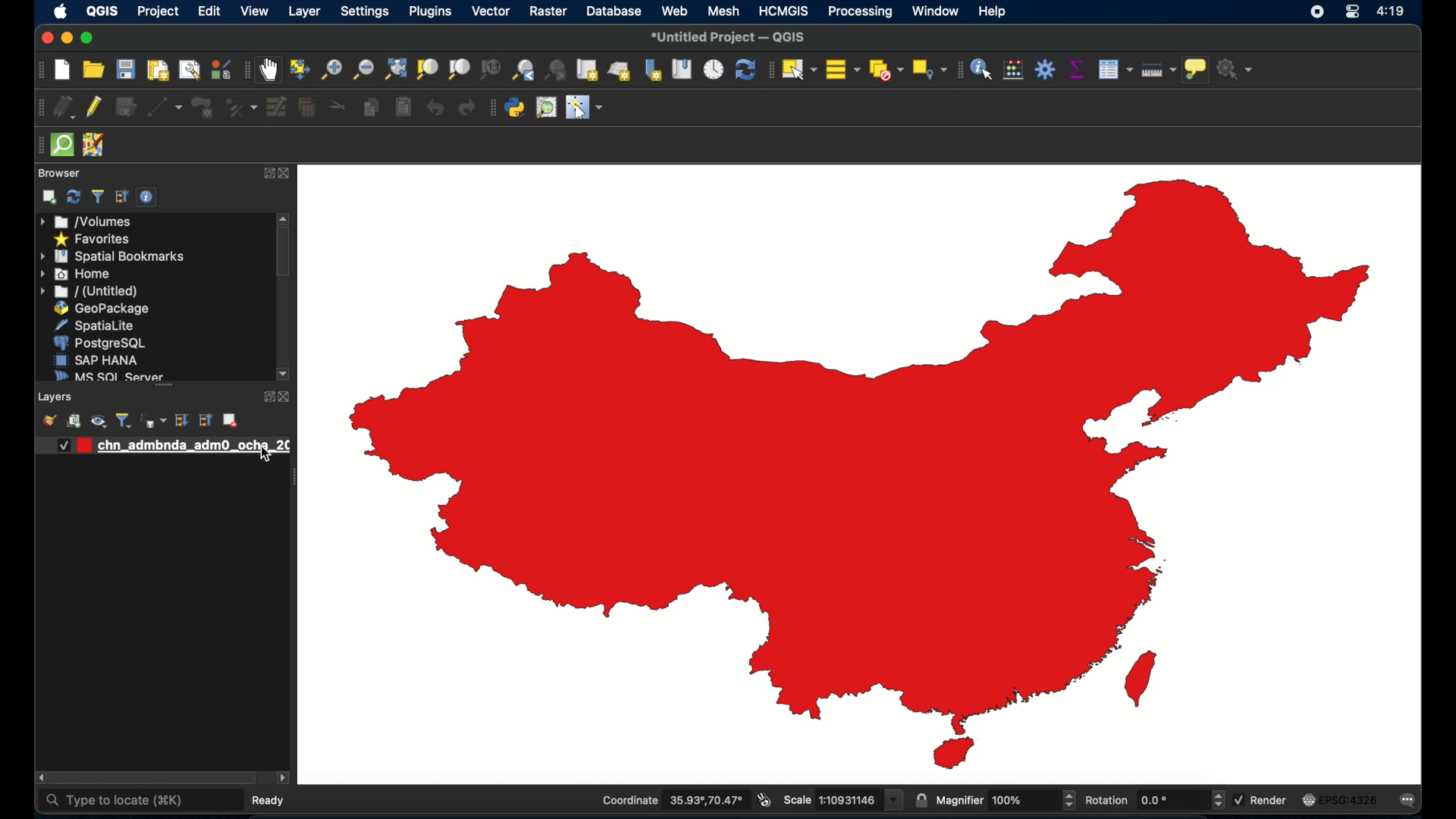 The image size is (1456, 819). Describe the element at coordinates (37, 146) in the screenshot. I see `drag handle` at that location.